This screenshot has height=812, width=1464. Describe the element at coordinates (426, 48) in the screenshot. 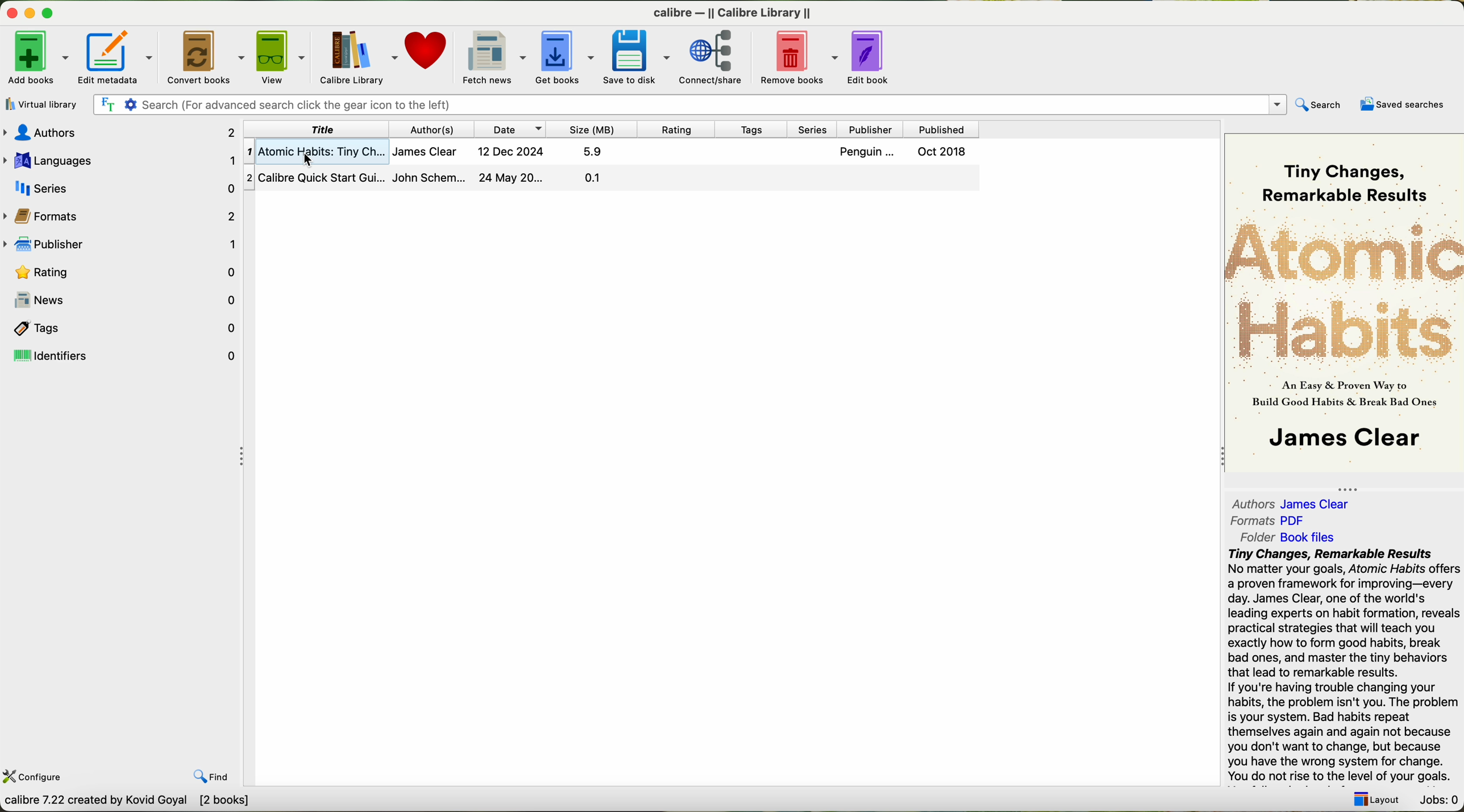

I see `donate` at that location.